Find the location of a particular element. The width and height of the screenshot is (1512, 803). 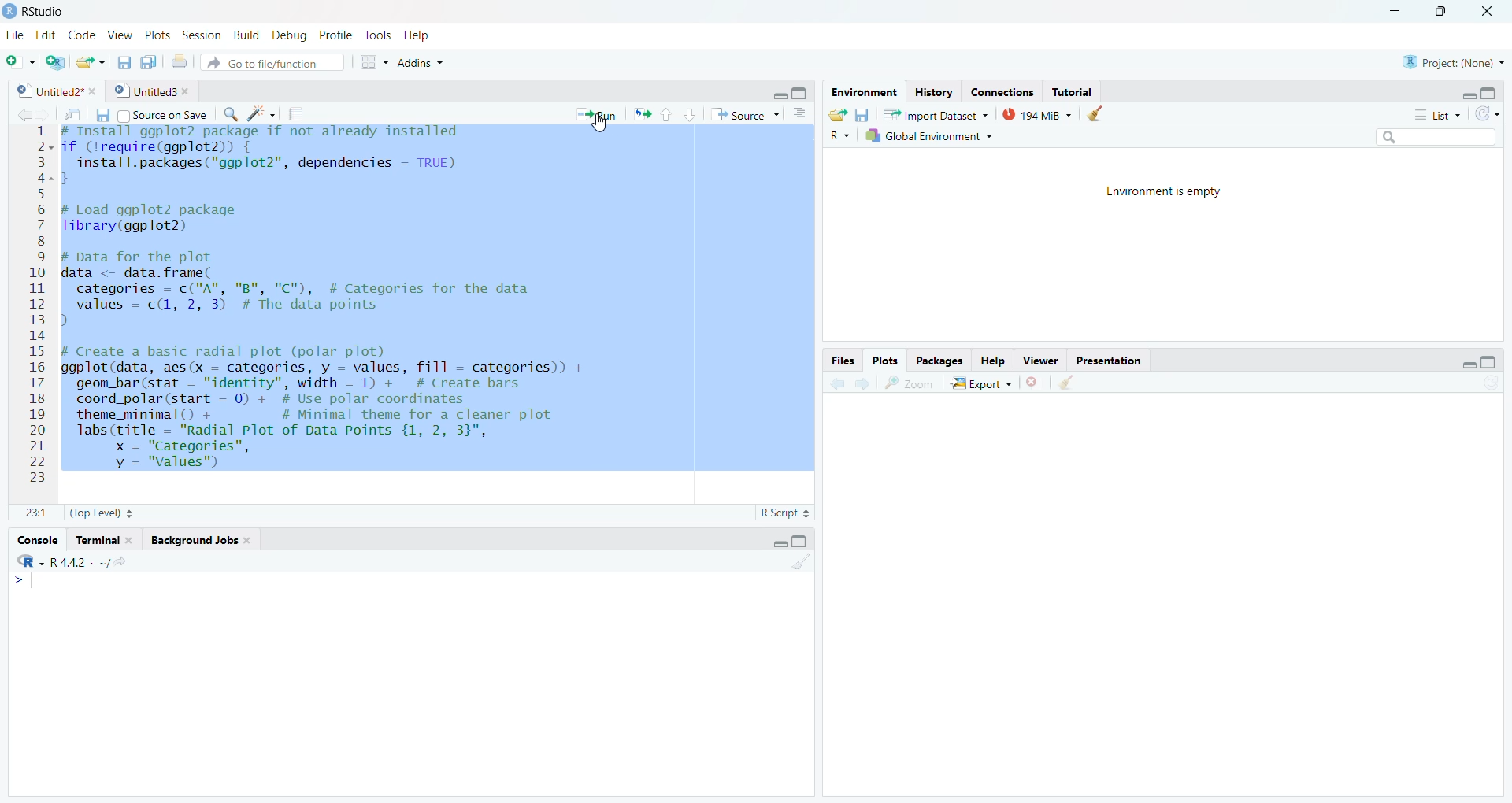

Import Dataset  is located at coordinates (939, 113).